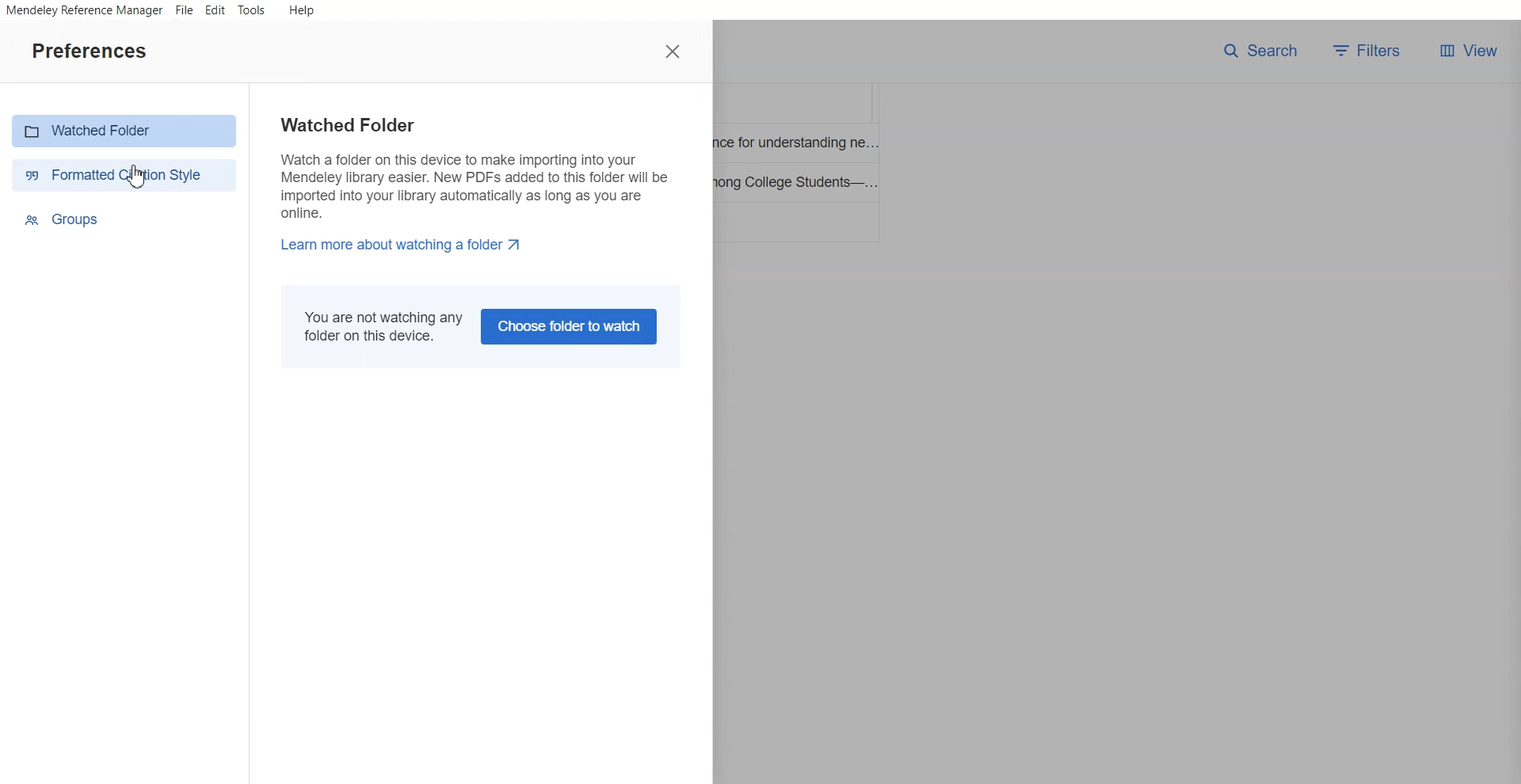  What do you see at coordinates (83, 11) in the screenshot?
I see `Mendeley Reference Manager` at bounding box center [83, 11].